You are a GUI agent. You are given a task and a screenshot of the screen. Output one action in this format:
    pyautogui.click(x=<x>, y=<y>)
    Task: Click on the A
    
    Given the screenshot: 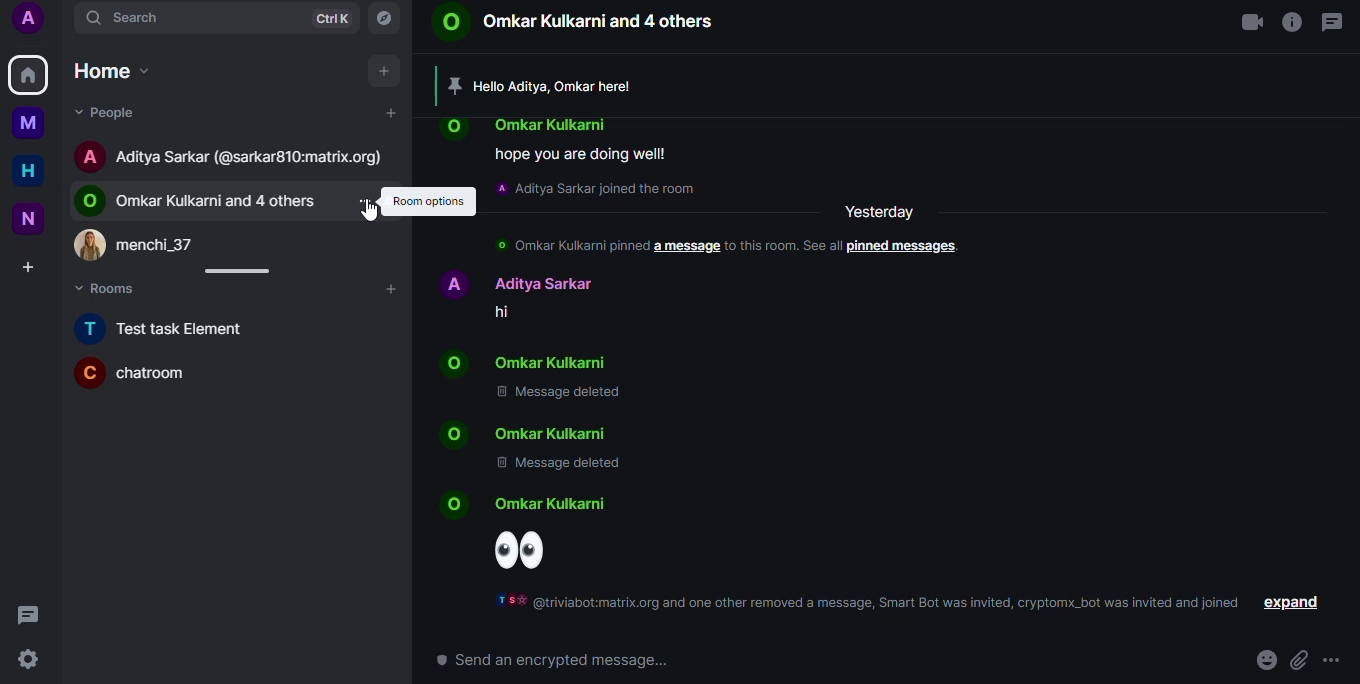 What is the action you would take?
    pyautogui.click(x=93, y=156)
    